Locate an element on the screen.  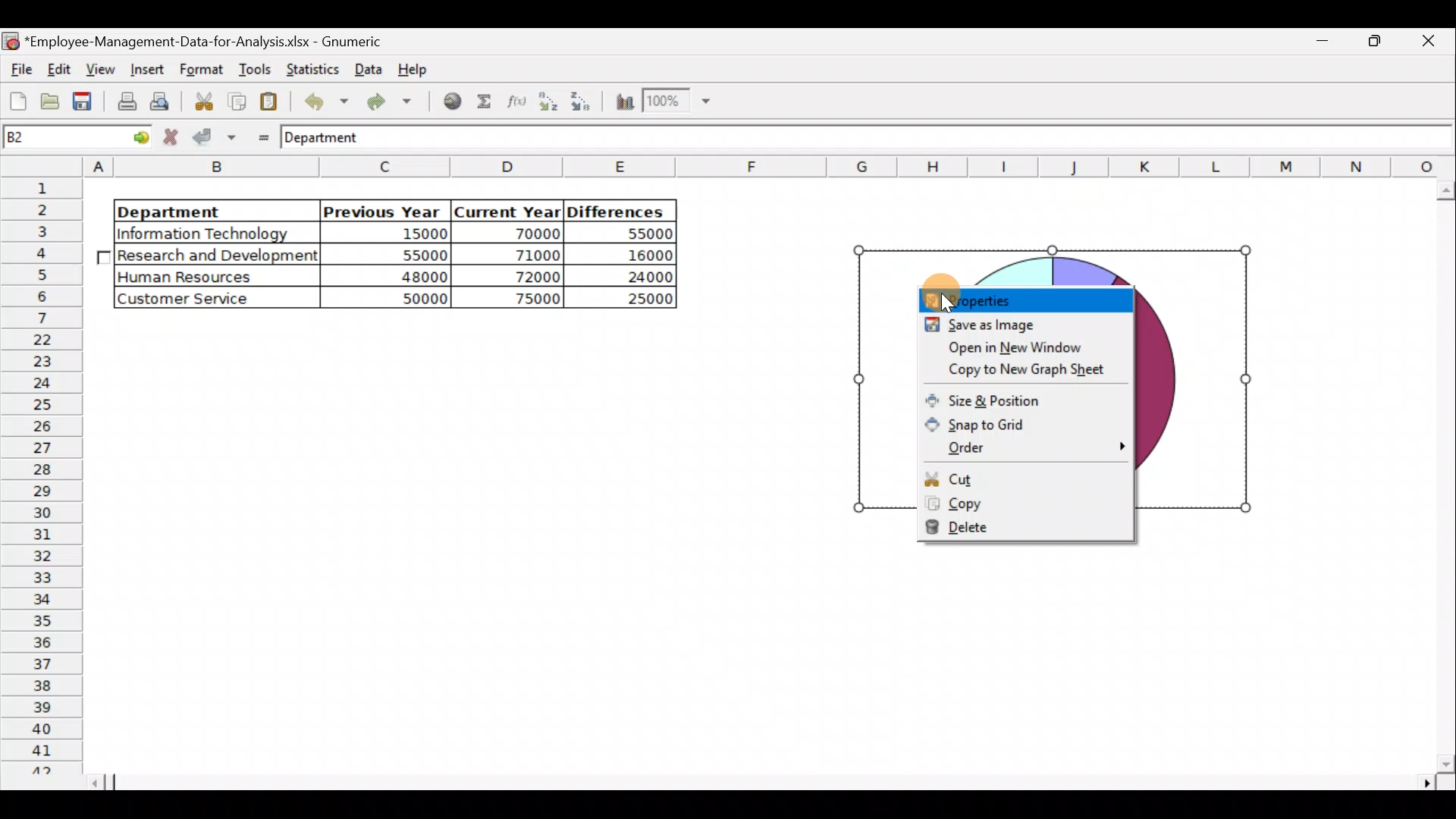
Current Year is located at coordinates (506, 210).